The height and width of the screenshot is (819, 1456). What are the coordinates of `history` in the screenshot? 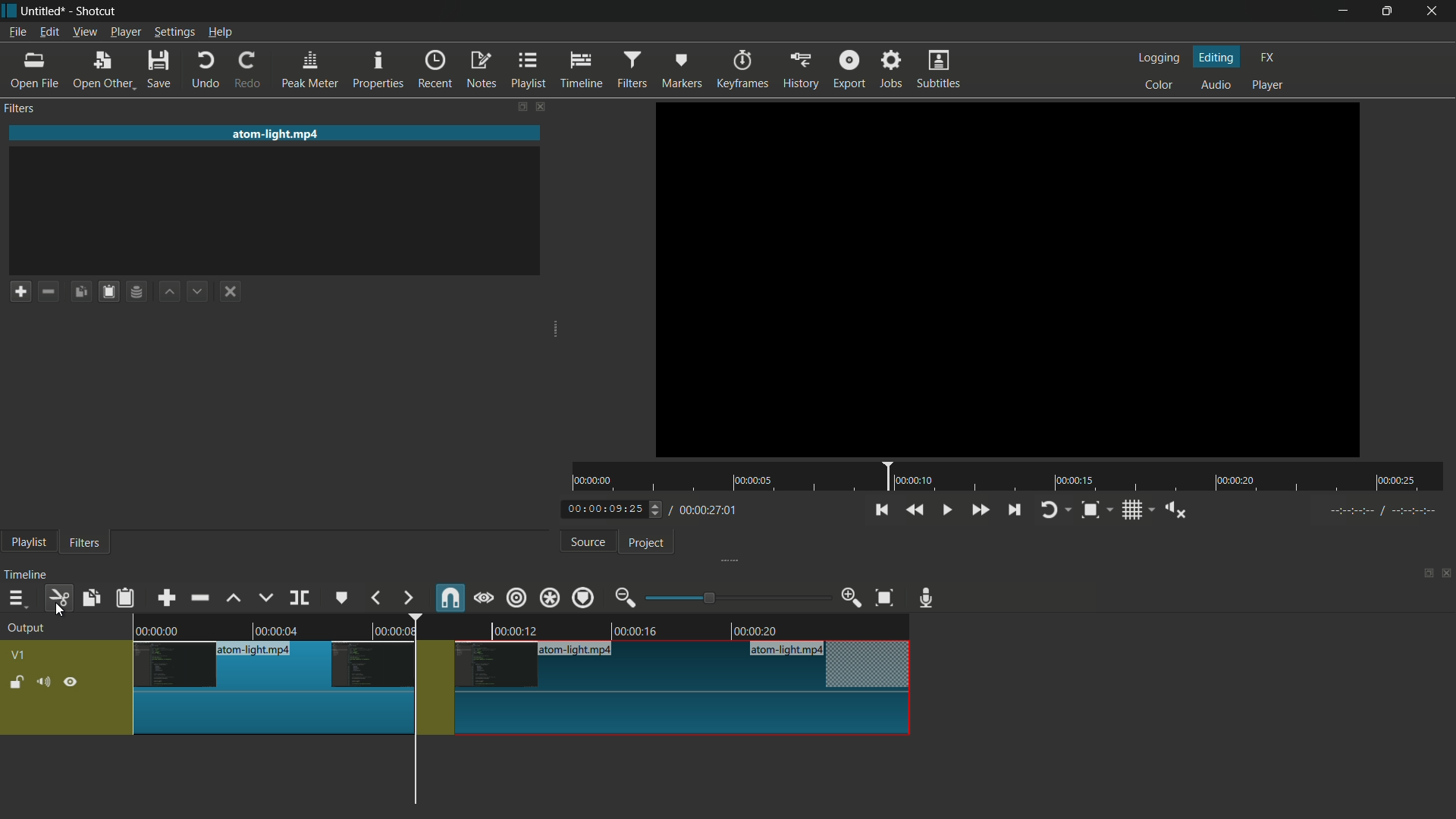 It's located at (799, 71).